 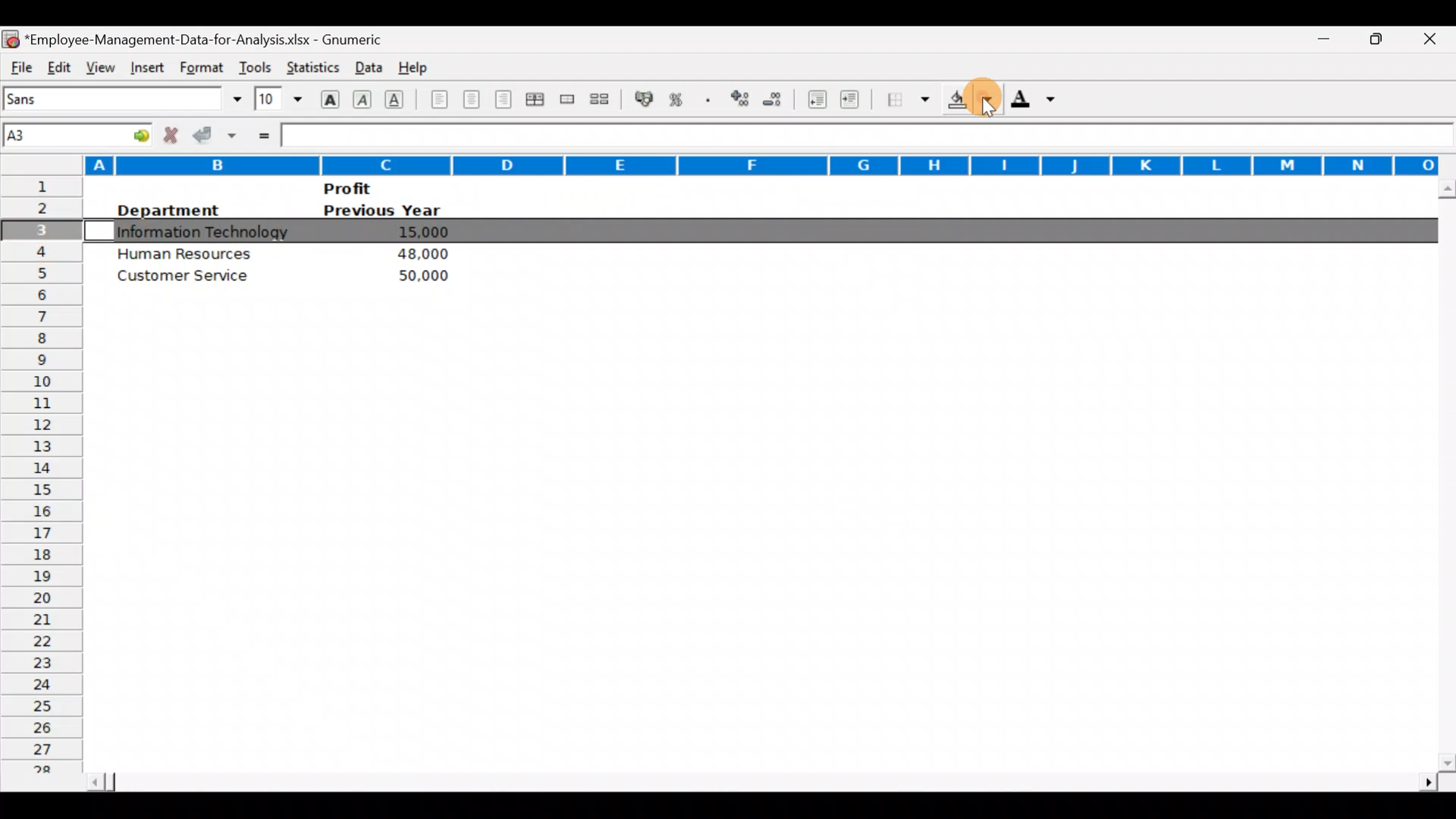 What do you see at coordinates (868, 136) in the screenshot?
I see `Formula bar` at bounding box center [868, 136].